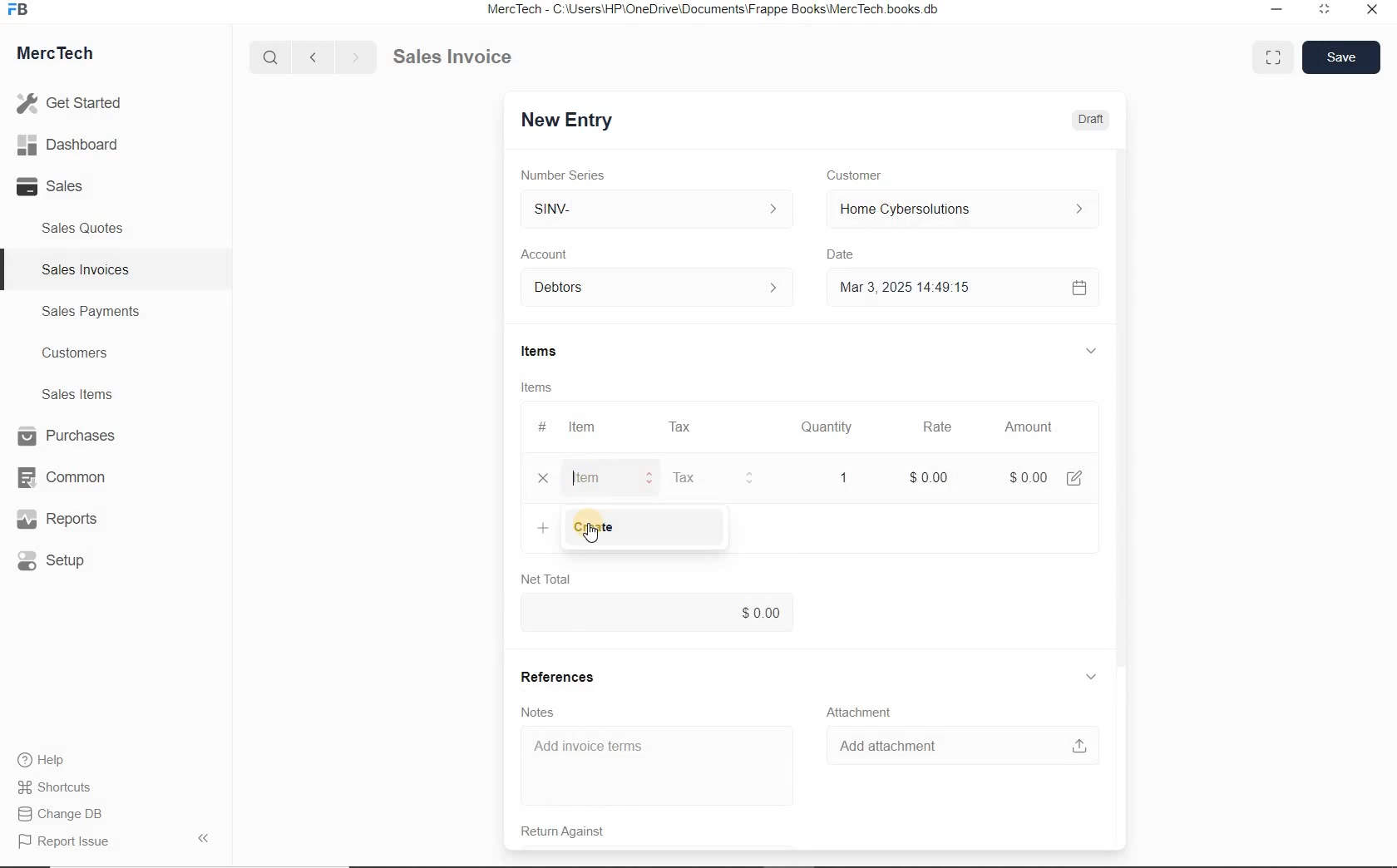 The image size is (1397, 868). I want to click on Date, so click(848, 254).